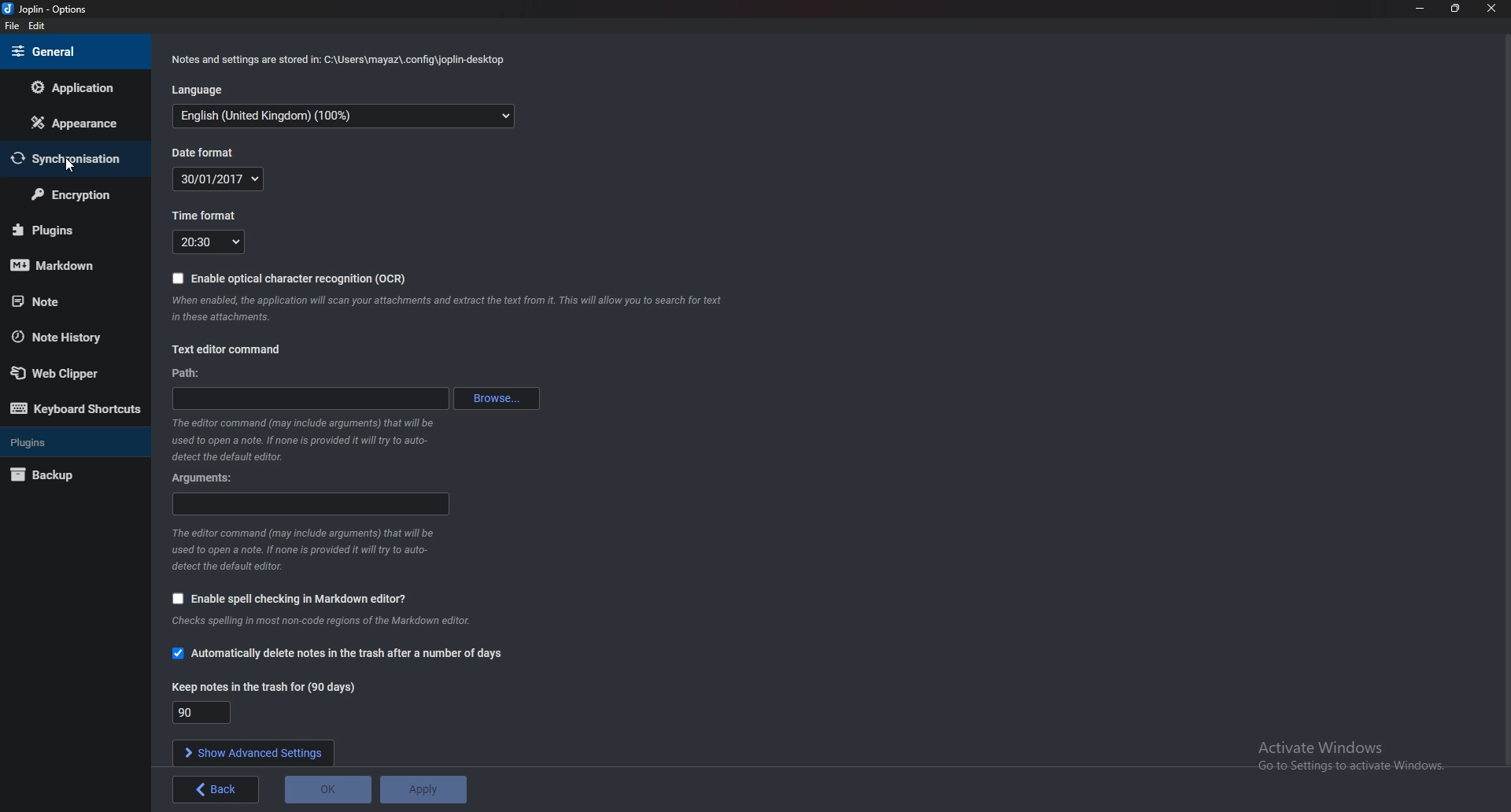 The height and width of the screenshot is (812, 1511). What do you see at coordinates (290, 277) in the screenshot?
I see `MW Enable optical character recognition (OCR)` at bounding box center [290, 277].